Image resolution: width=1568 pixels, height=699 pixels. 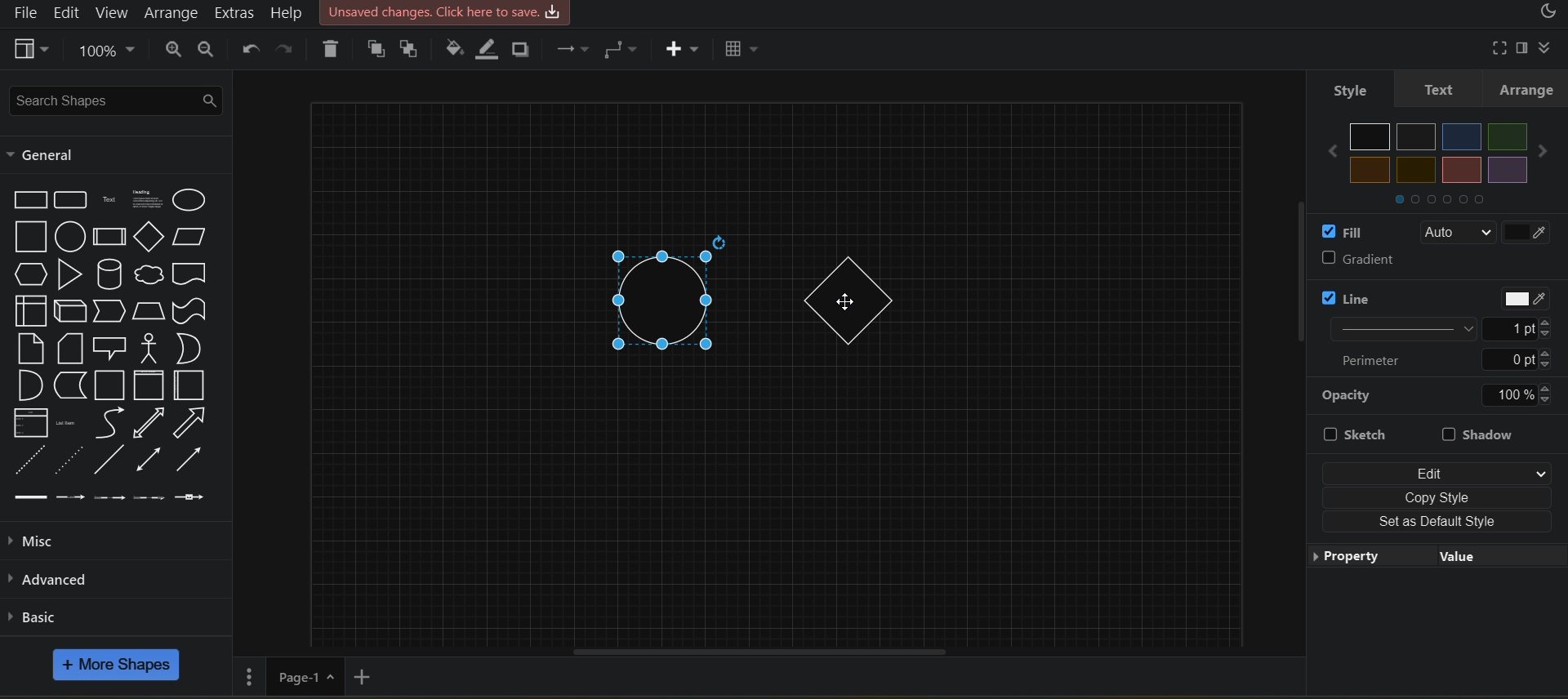 I want to click on appearance, so click(x=1545, y=11).